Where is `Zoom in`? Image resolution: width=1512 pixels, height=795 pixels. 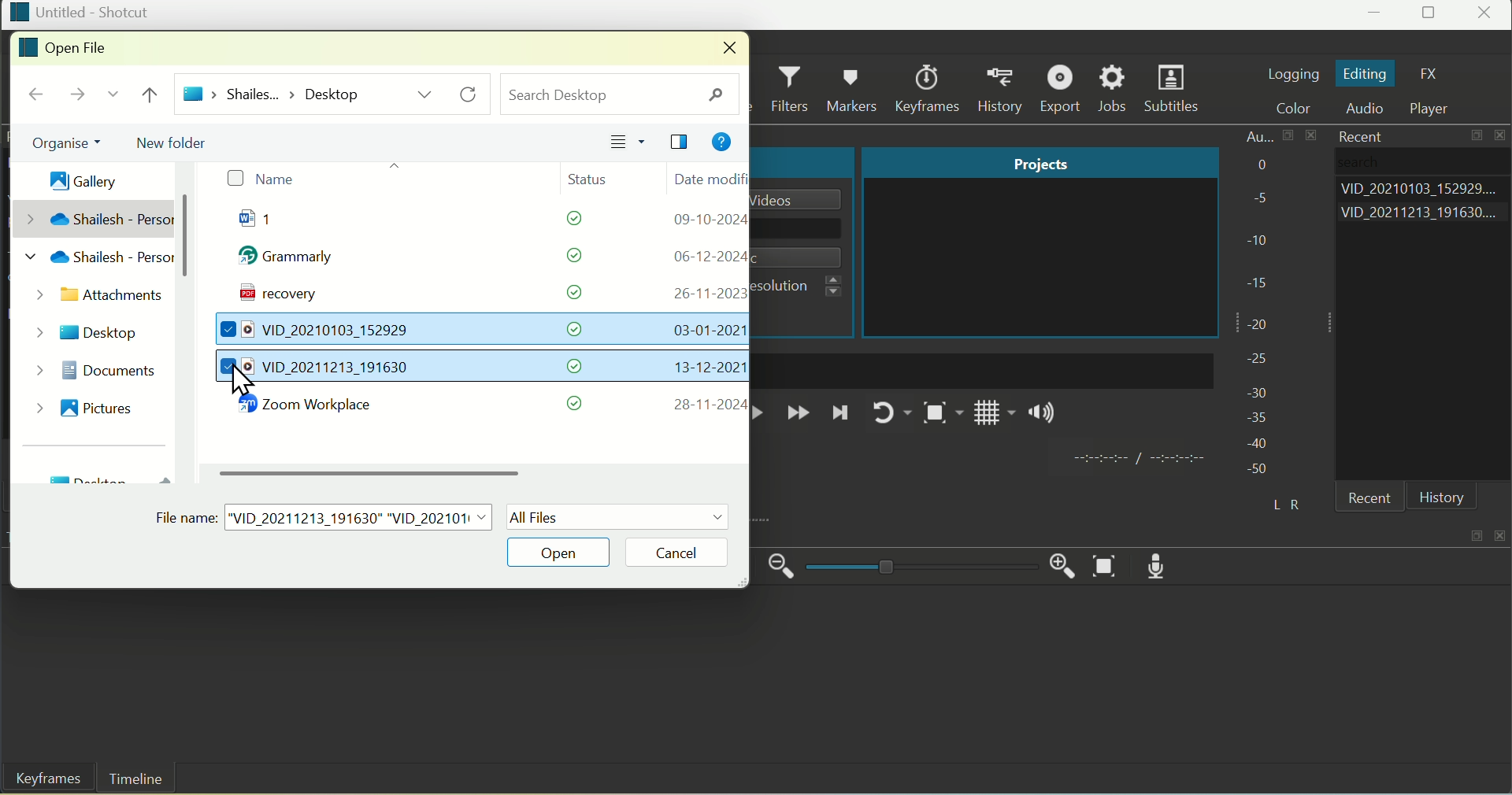
Zoom in is located at coordinates (1058, 563).